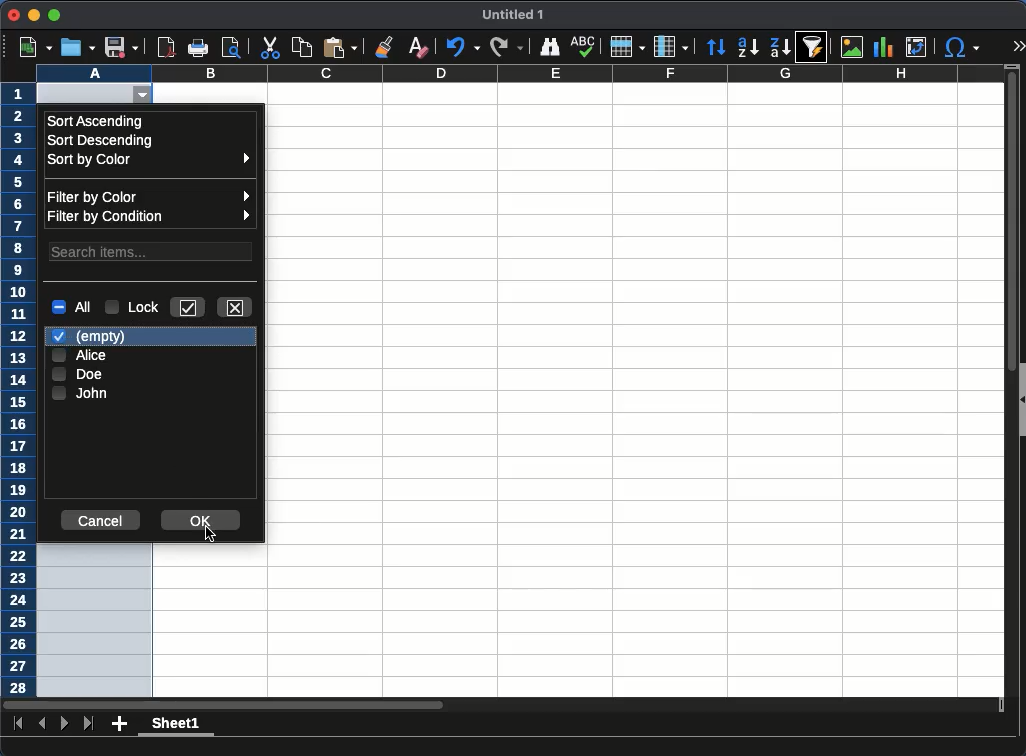 This screenshot has width=1026, height=756. Describe the element at coordinates (79, 374) in the screenshot. I see `doe` at that location.